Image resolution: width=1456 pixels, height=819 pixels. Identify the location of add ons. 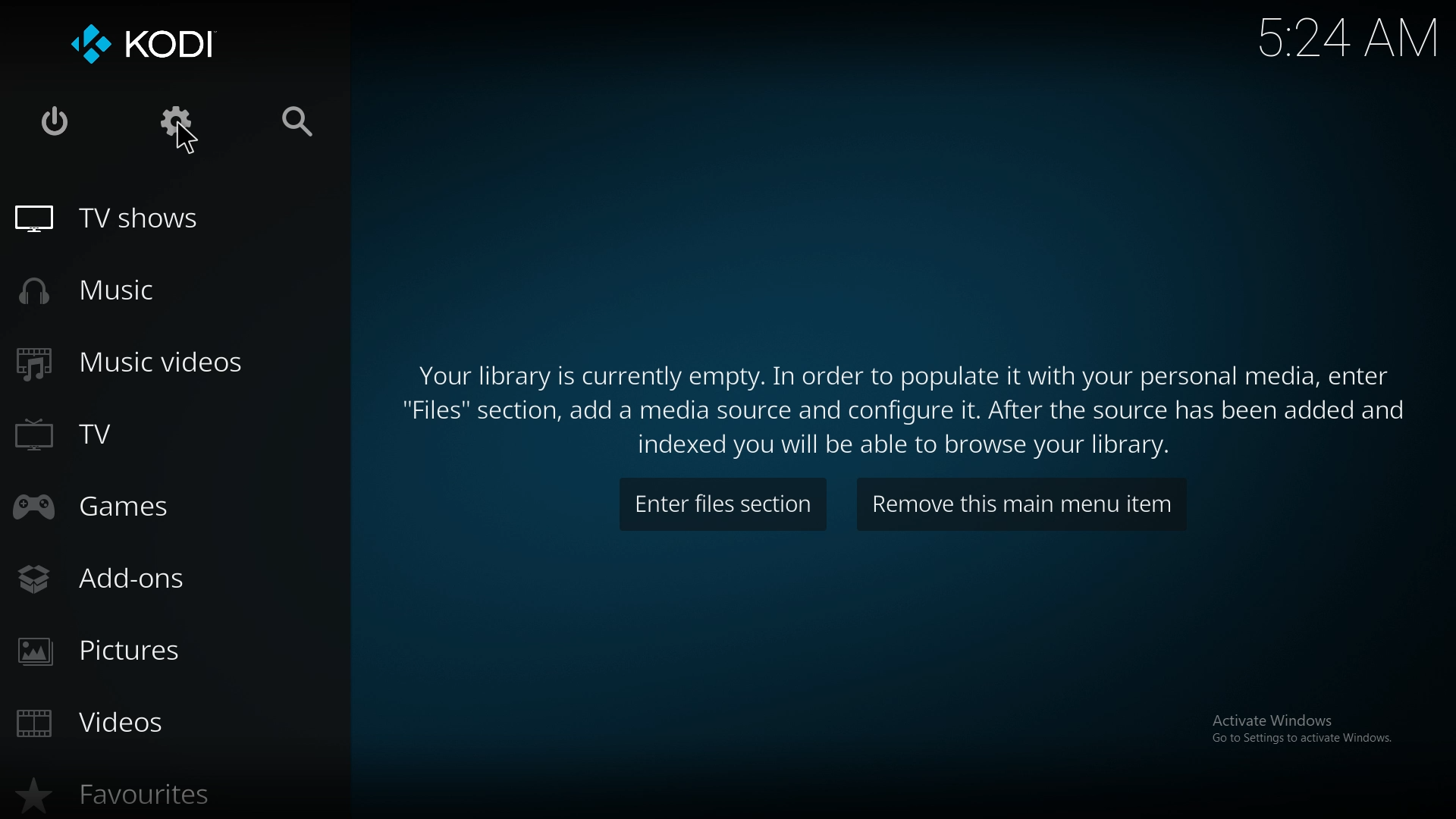
(119, 580).